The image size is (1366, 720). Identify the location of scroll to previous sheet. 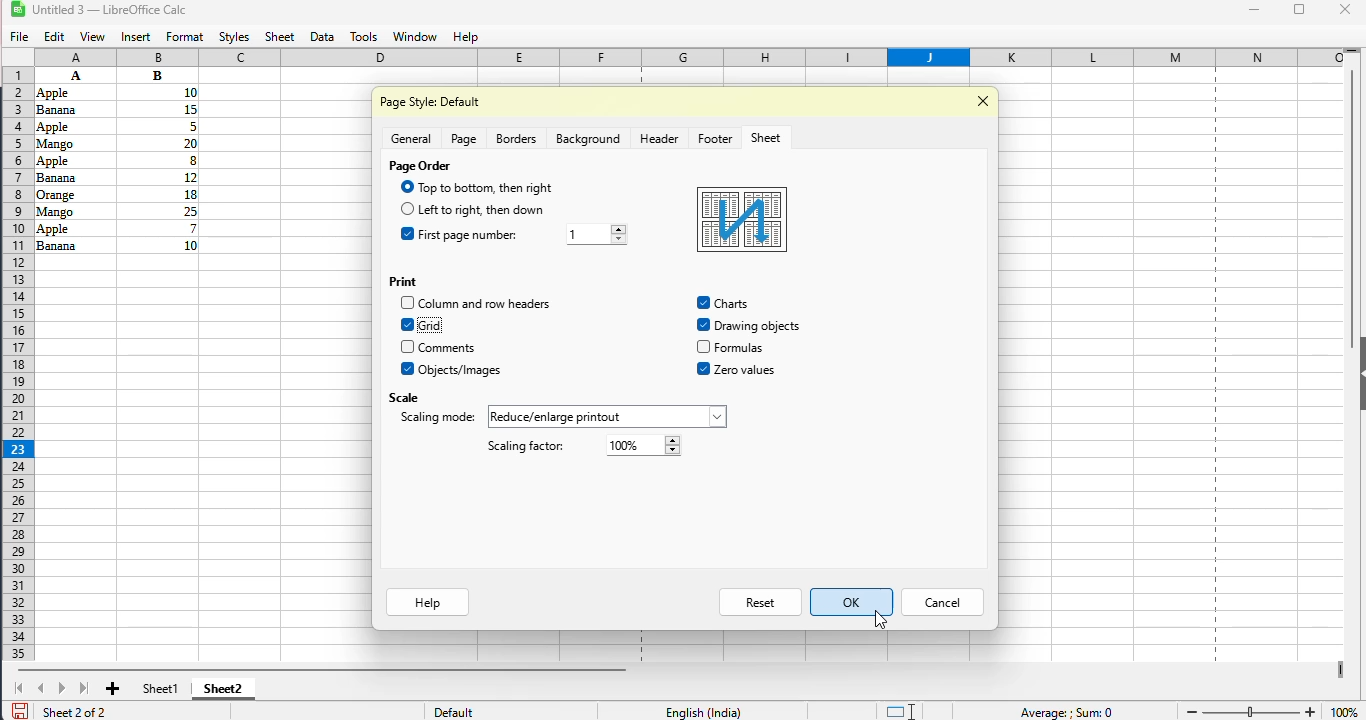
(41, 688).